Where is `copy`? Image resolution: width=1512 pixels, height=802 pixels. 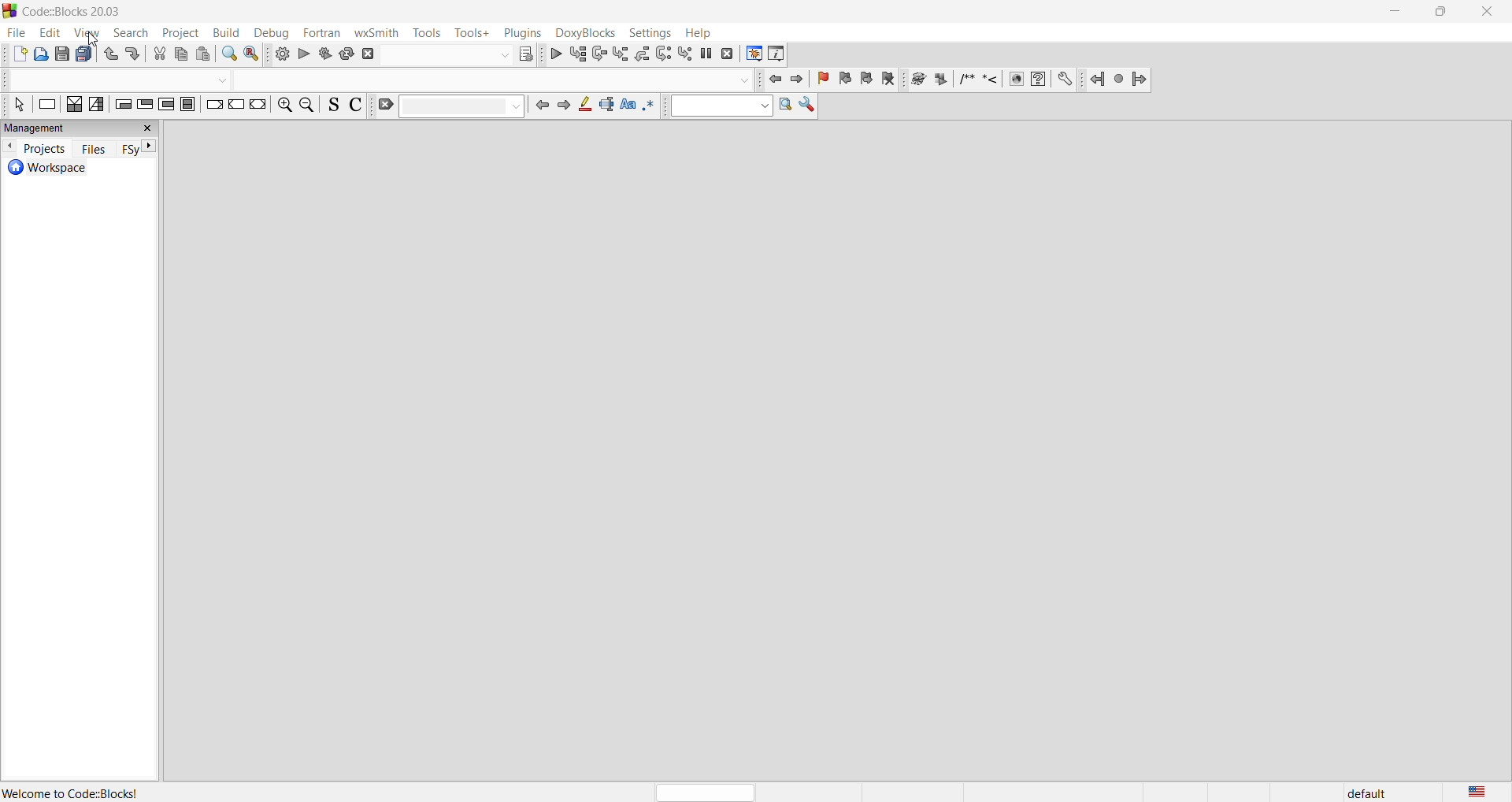
copy is located at coordinates (182, 54).